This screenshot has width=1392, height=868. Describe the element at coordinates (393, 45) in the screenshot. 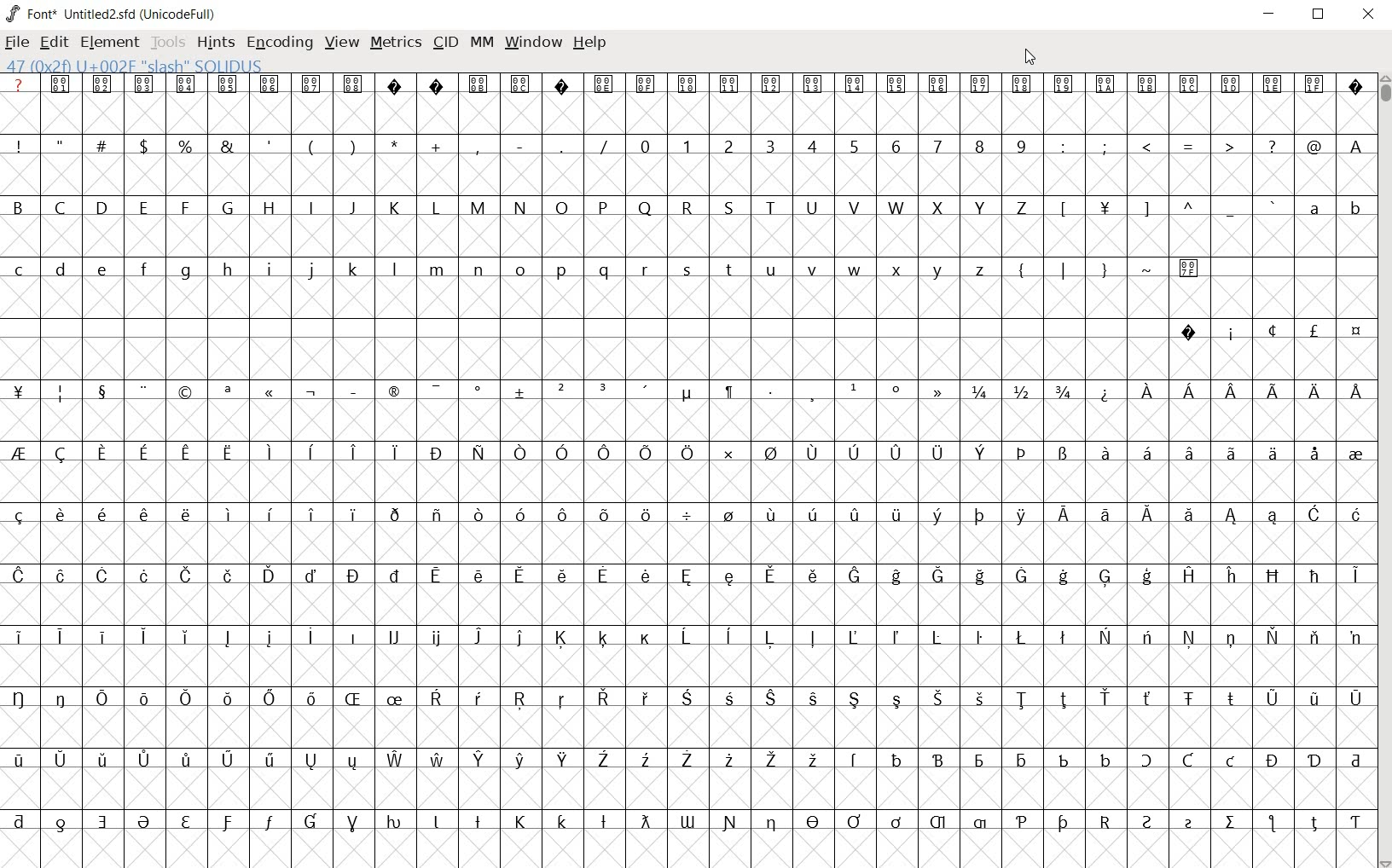

I see `METRICS` at that location.